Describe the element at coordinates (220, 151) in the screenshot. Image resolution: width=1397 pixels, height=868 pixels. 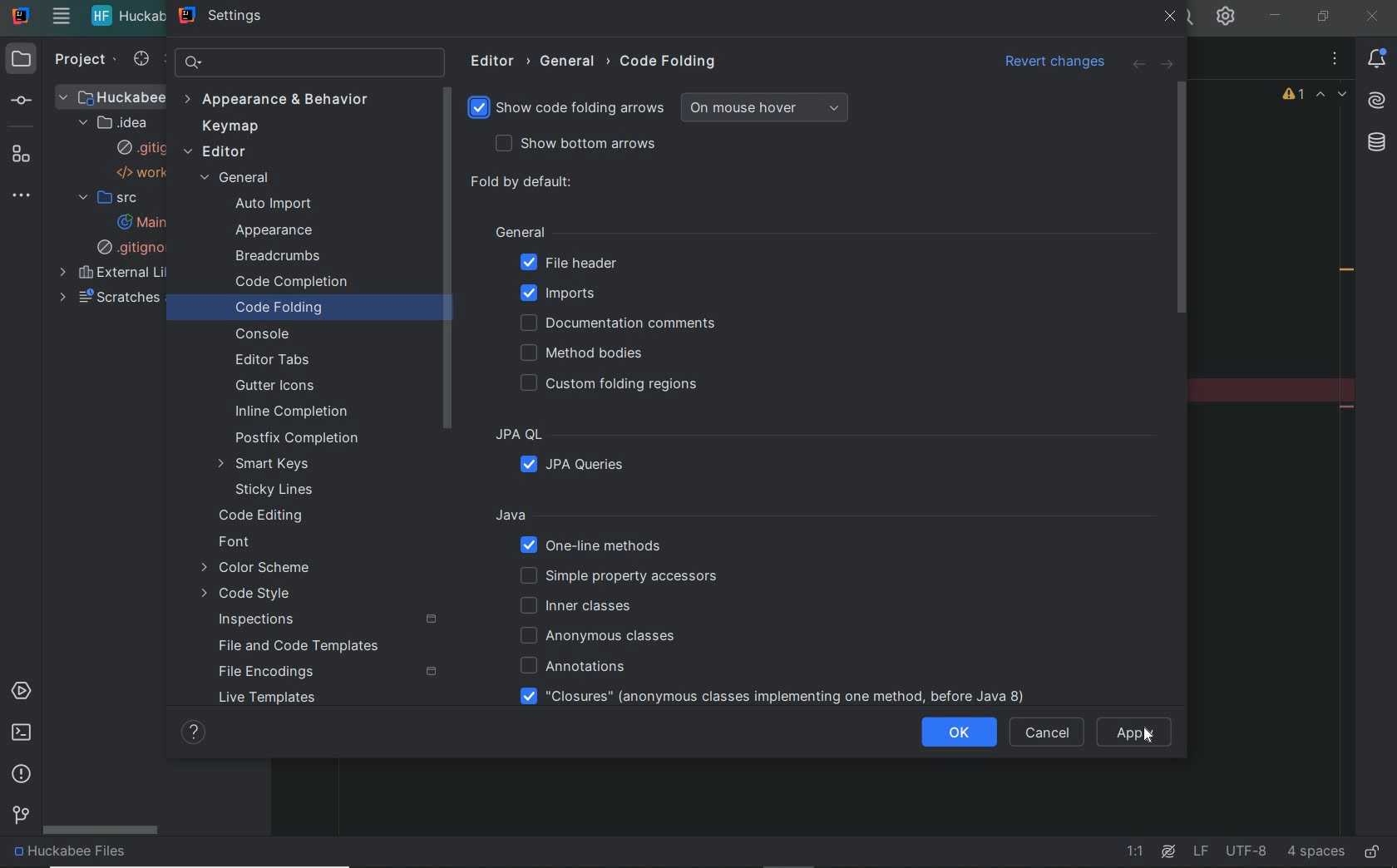
I see `editor` at that location.